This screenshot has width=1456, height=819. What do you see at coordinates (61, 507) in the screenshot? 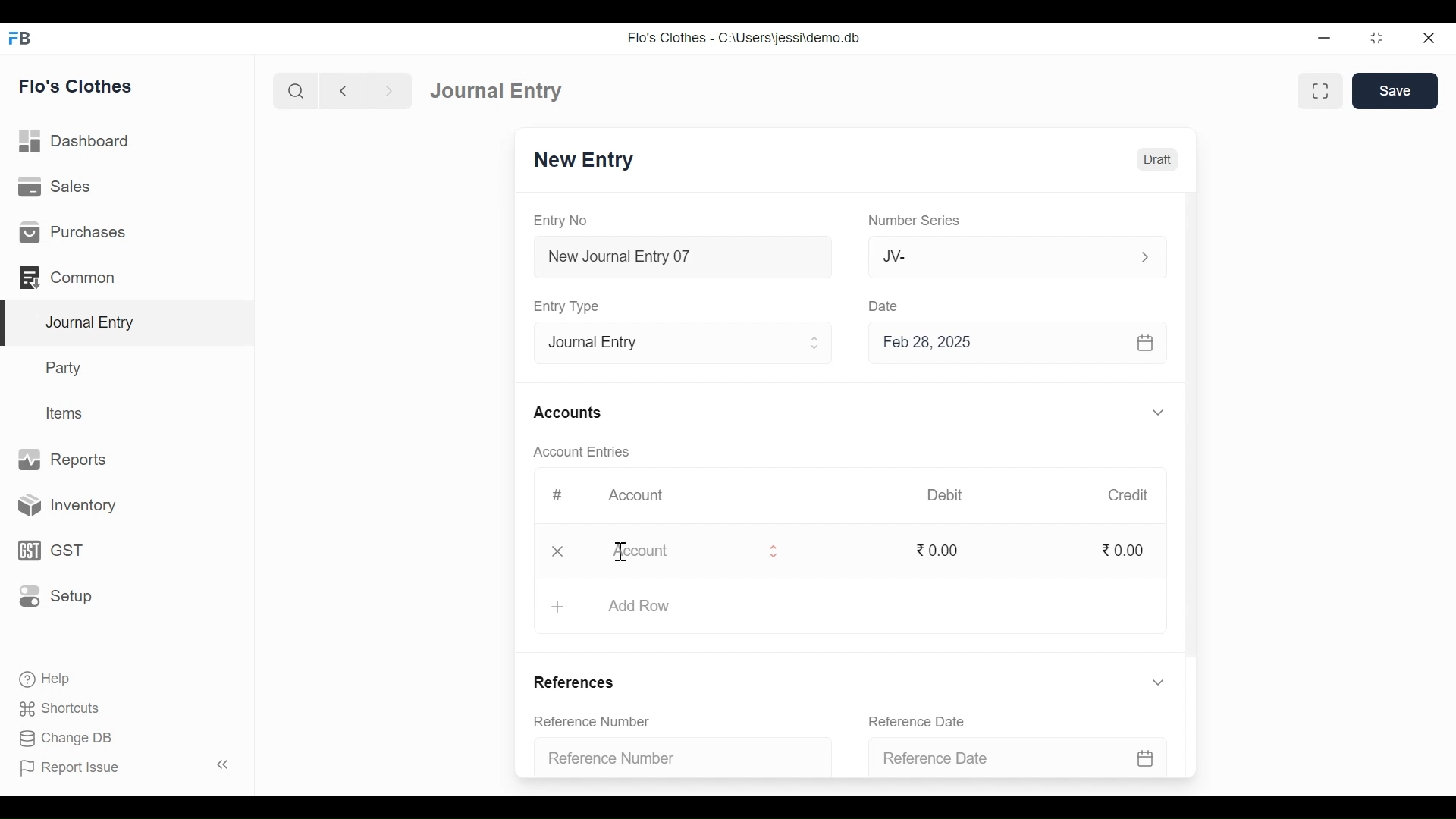
I see `Inventory` at bounding box center [61, 507].